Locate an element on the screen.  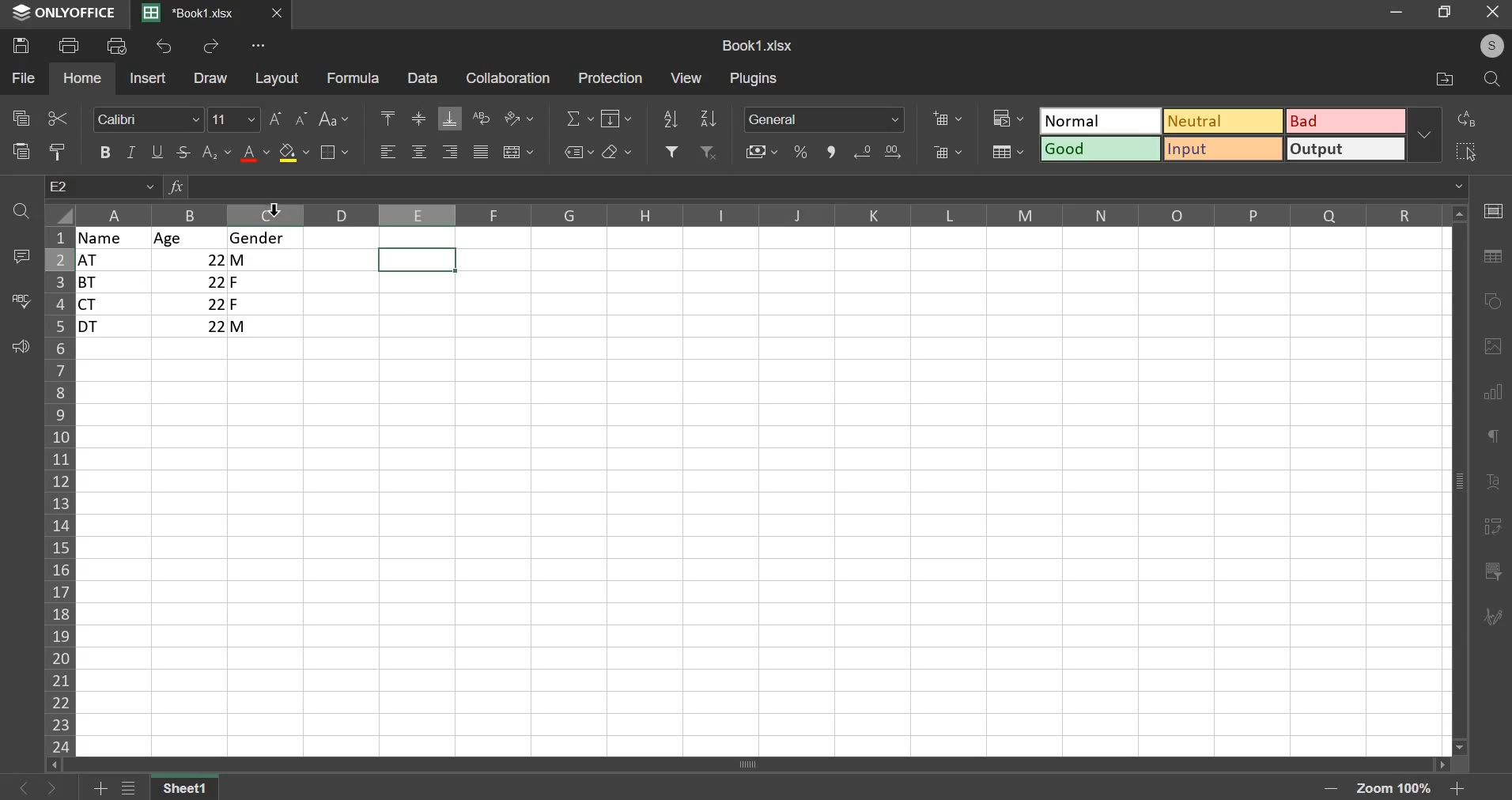
view is located at coordinates (686, 77).